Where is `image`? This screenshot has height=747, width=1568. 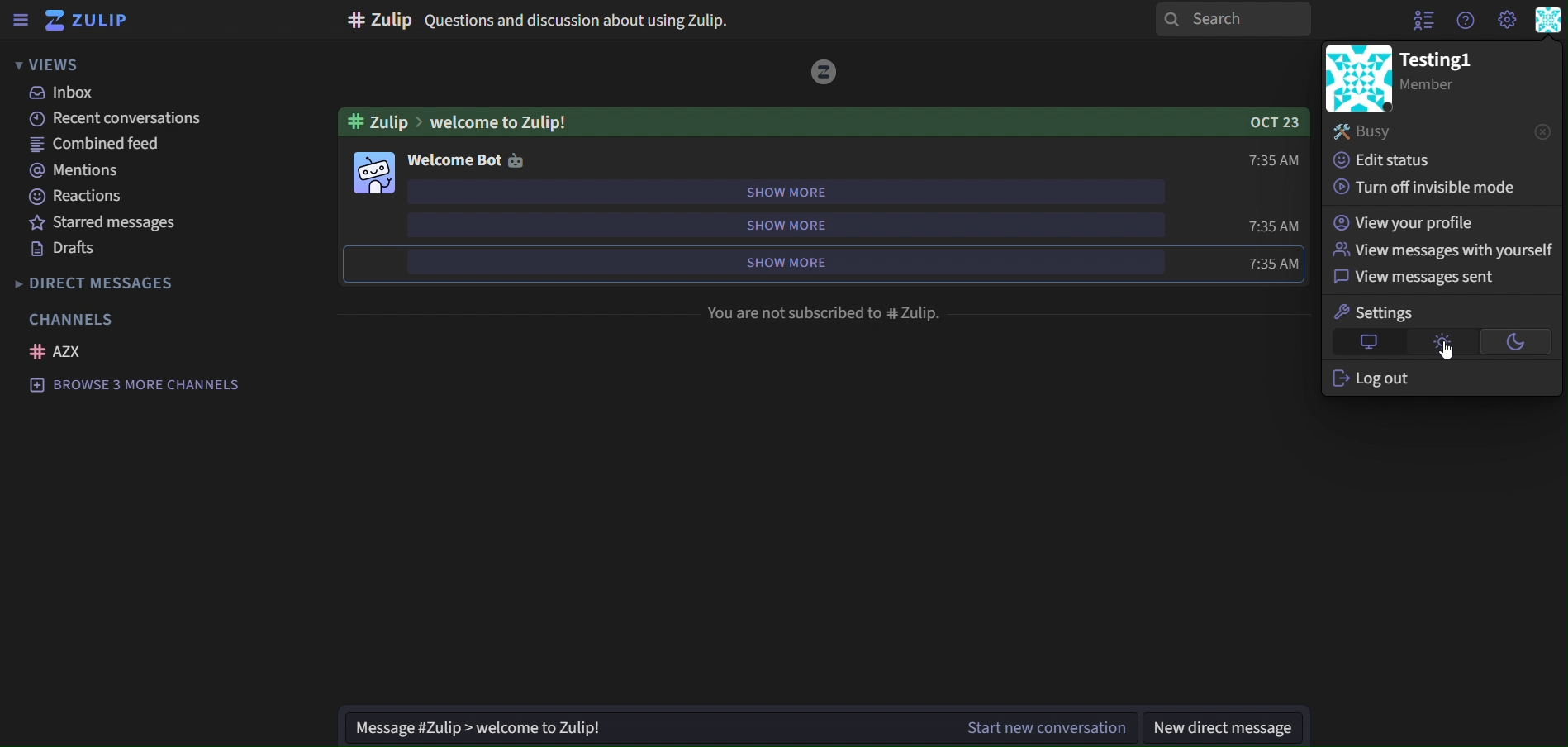 image is located at coordinates (376, 173).